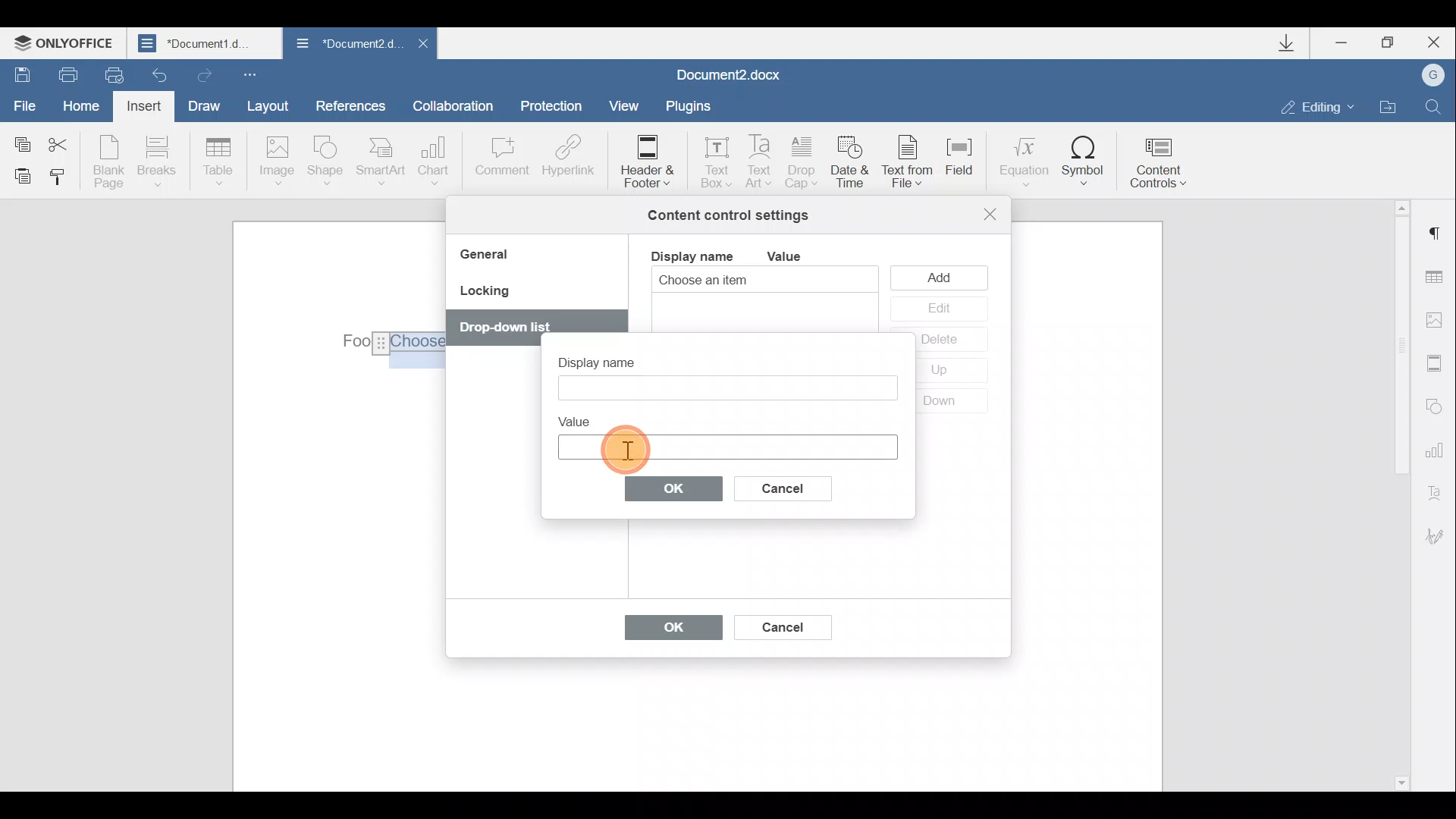 The height and width of the screenshot is (819, 1456). I want to click on File, so click(26, 104).